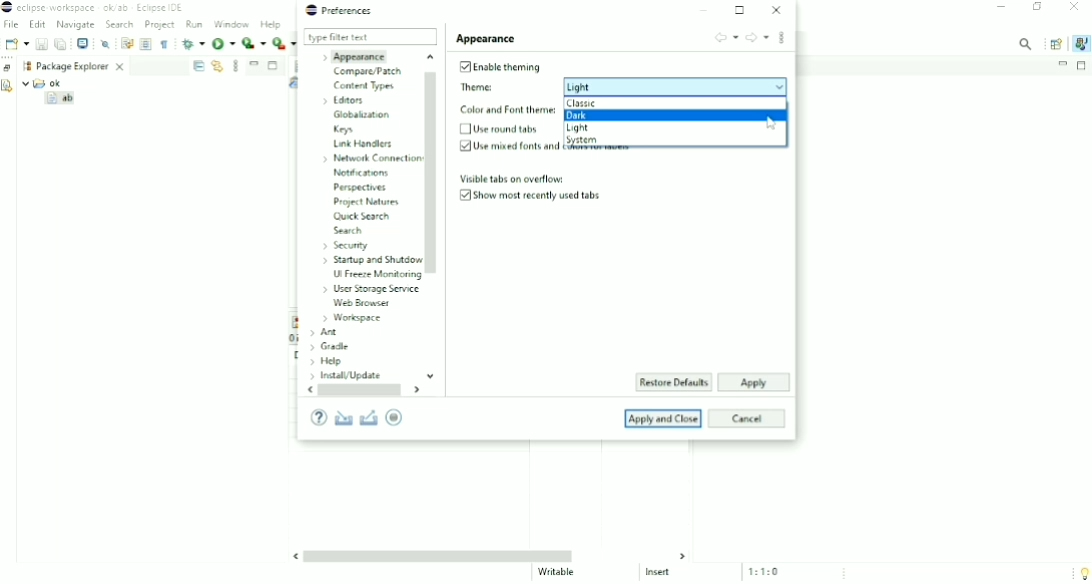  Describe the element at coordinates (47, 83) in the screenshot. I see `ok` at that location.